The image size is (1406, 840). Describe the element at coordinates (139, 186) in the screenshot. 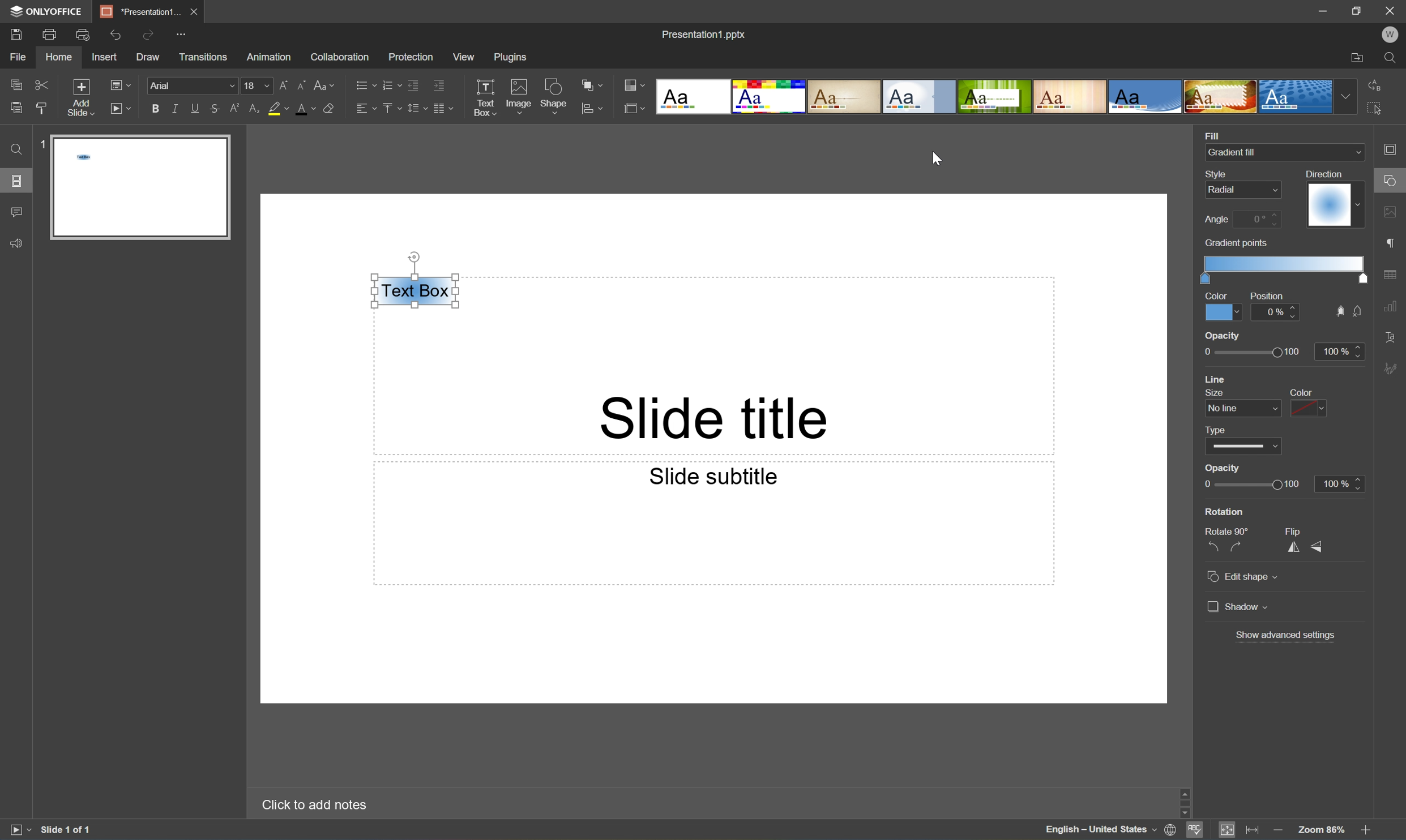

I see `Slide` at that location.